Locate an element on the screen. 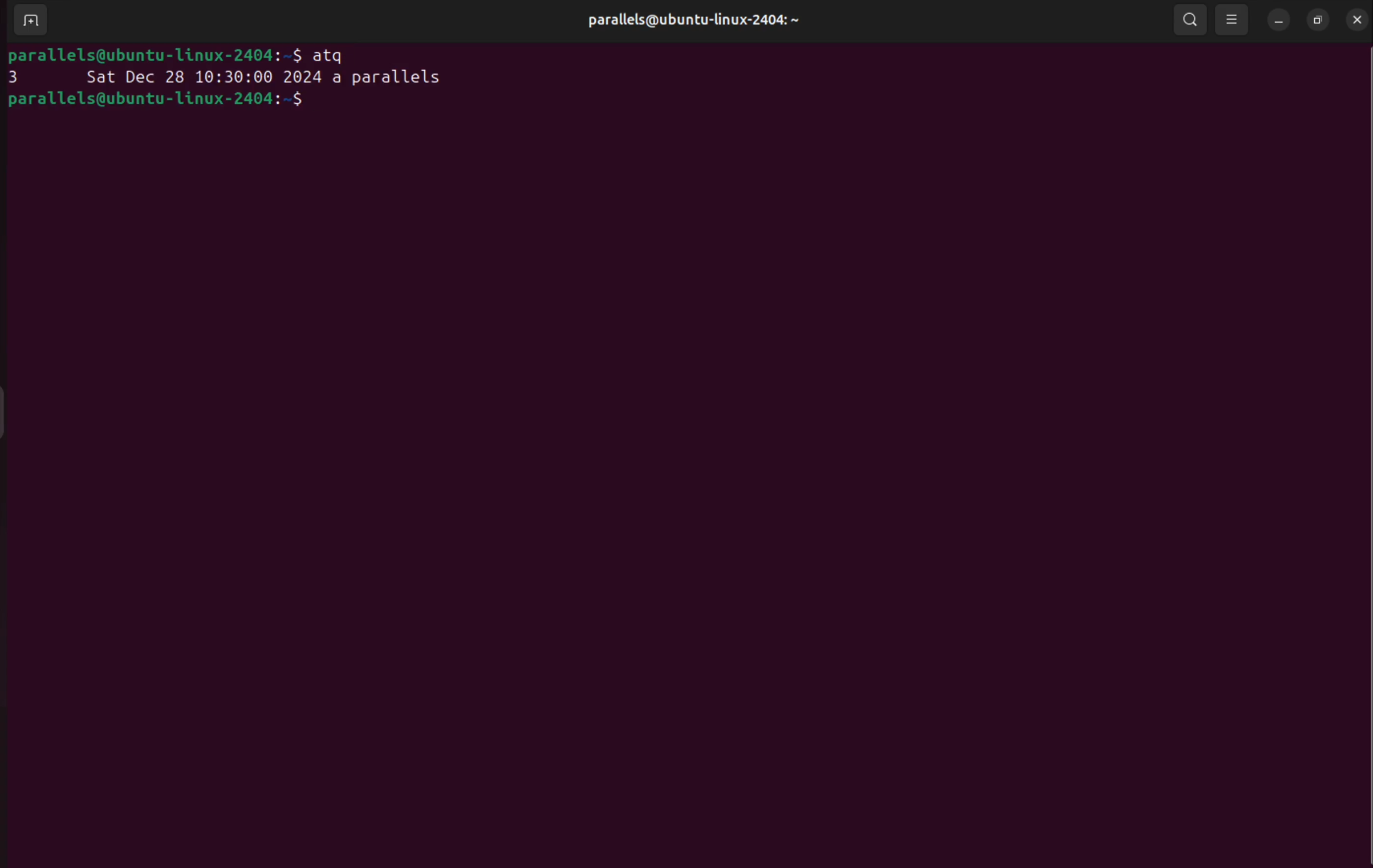 Image resolution: width=1373 pixels, height=868 pixels. resize is located at coordinates (1316, 21).